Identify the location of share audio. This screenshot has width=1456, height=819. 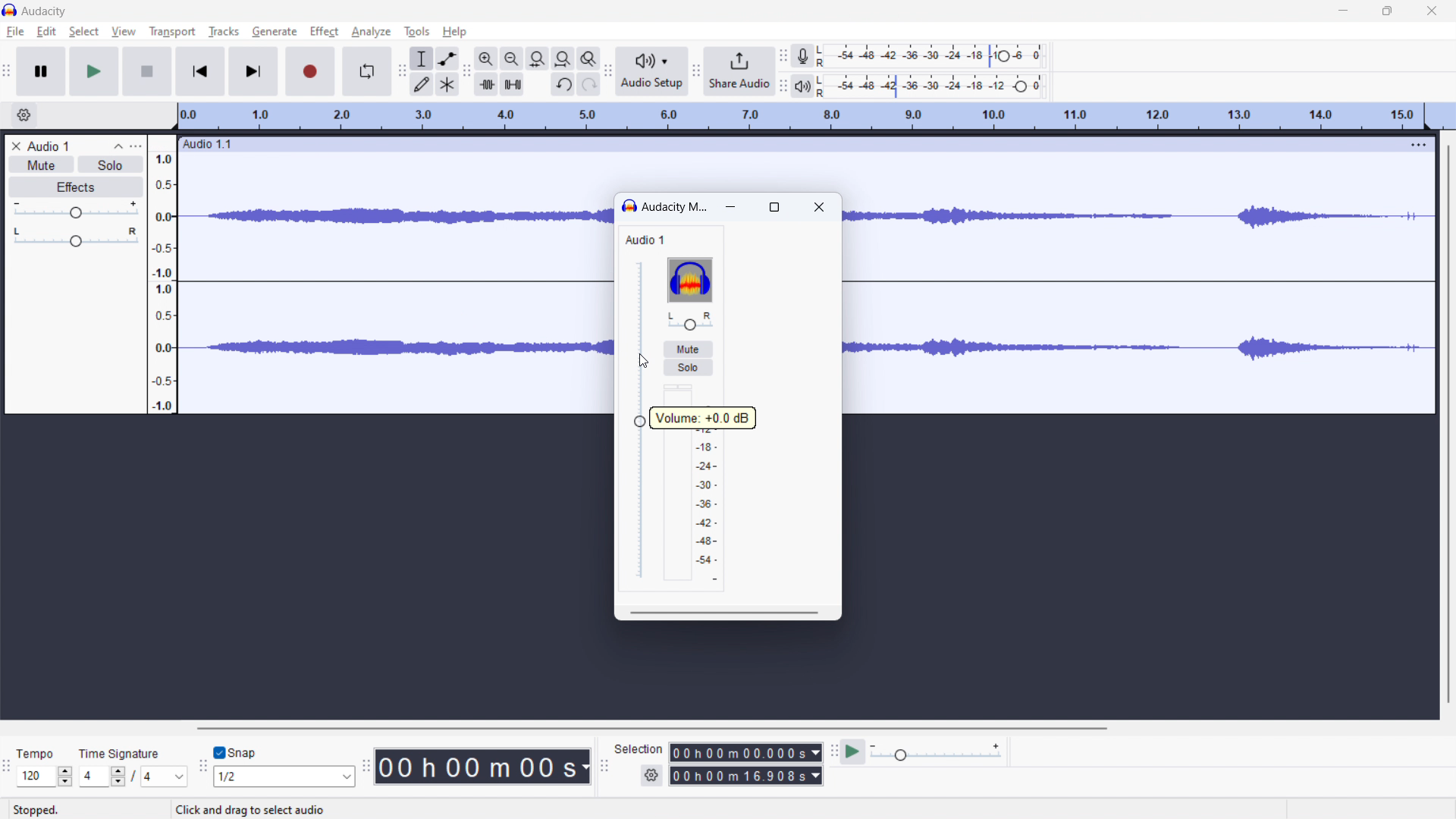
(739, 71).